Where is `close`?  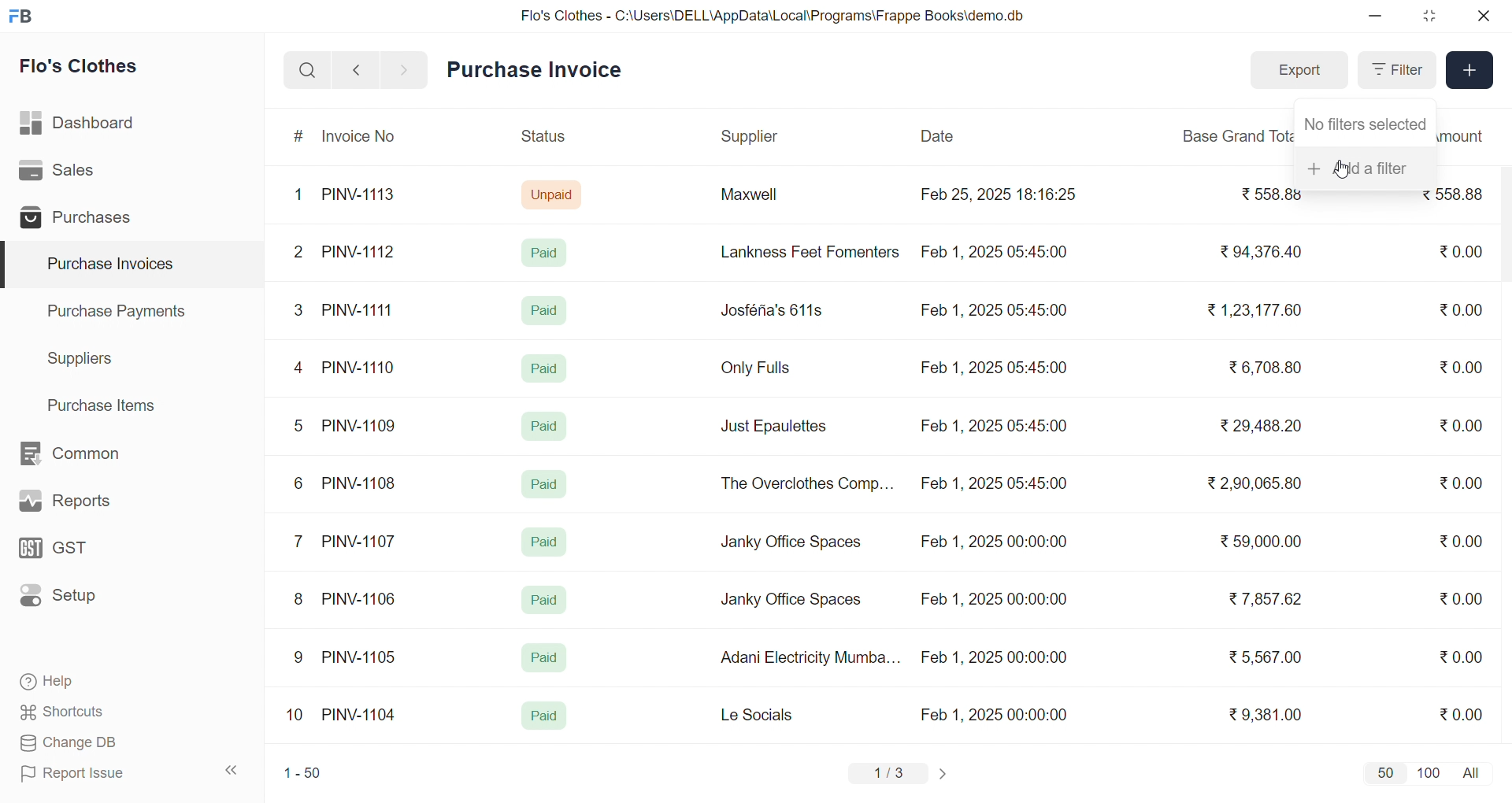 close is located at coordinates (1482, 16).